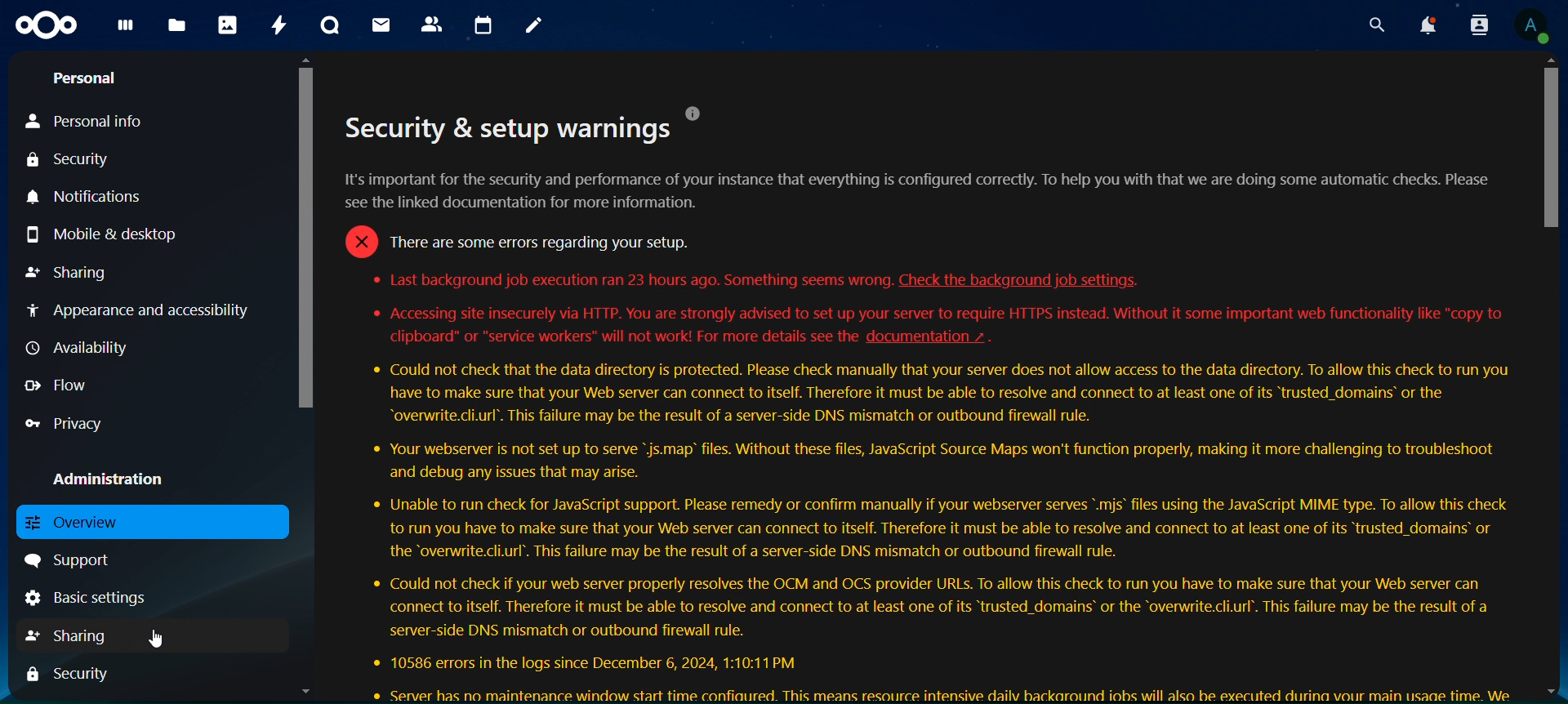 The image size is (1568, 704). I want to click on flow, so click(56, 385).